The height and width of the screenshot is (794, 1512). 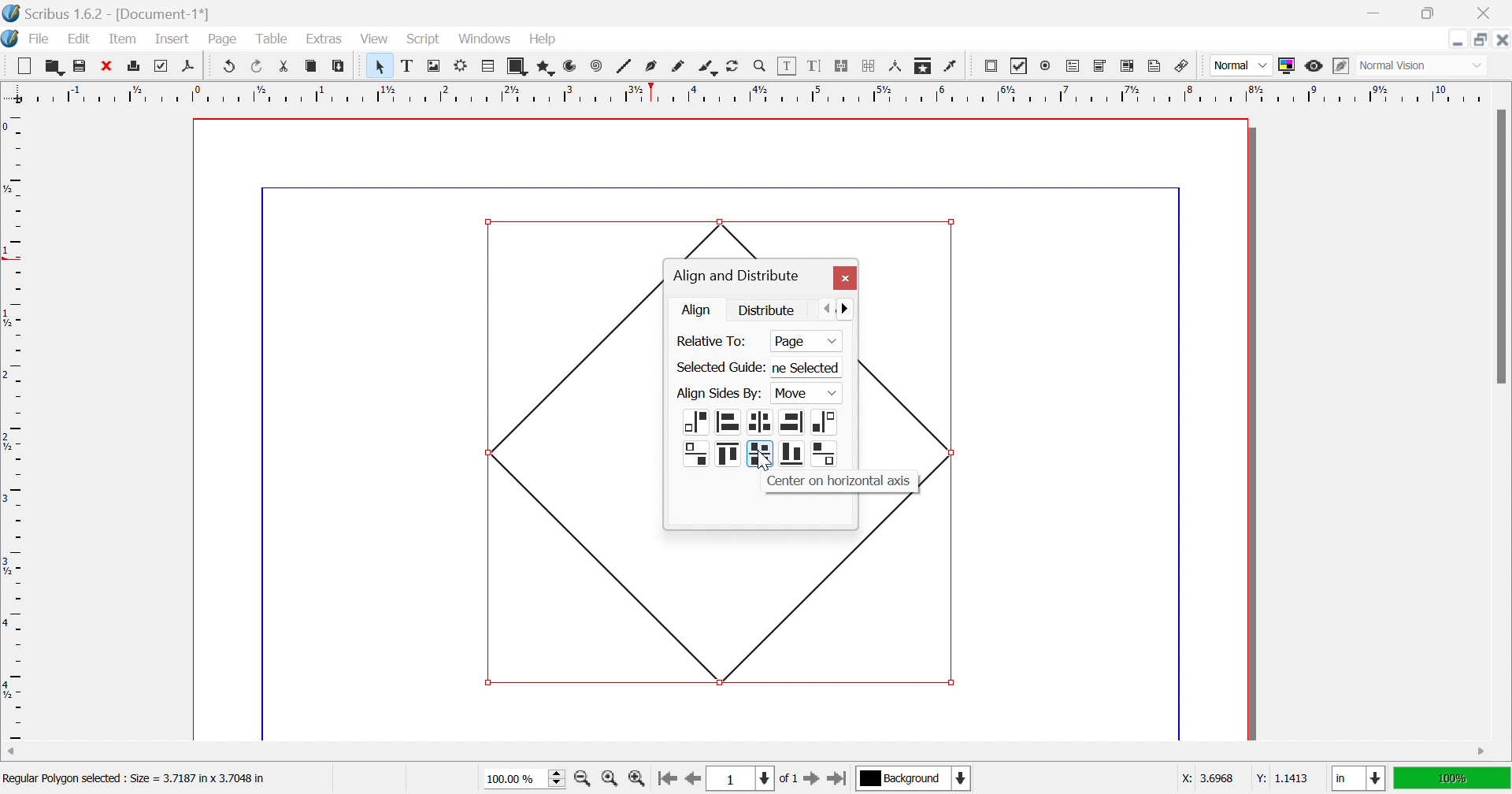 I want to click on Select item, so click(x=383, y=66).